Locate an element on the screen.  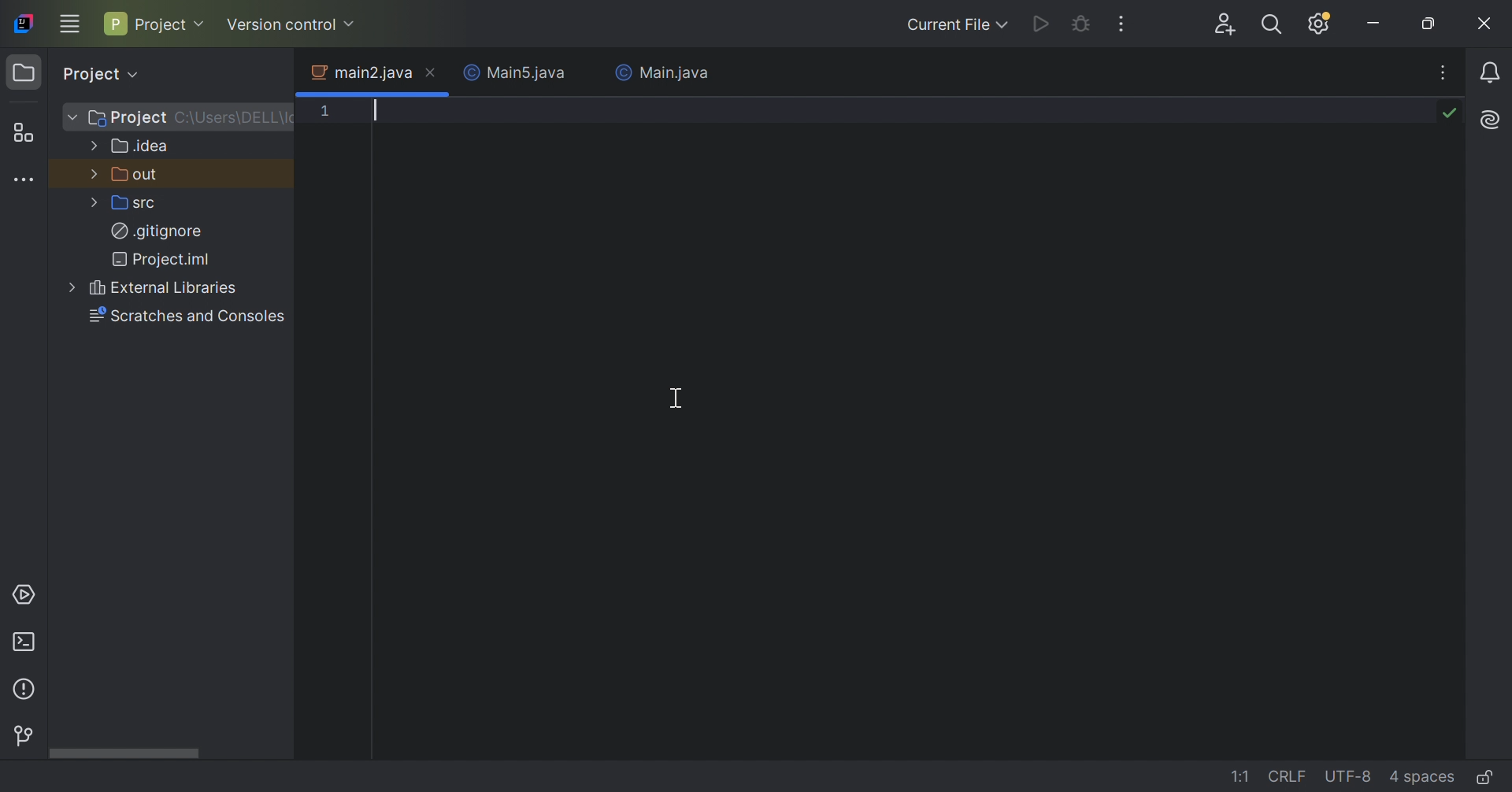
More is located at coordinates (69, 116).